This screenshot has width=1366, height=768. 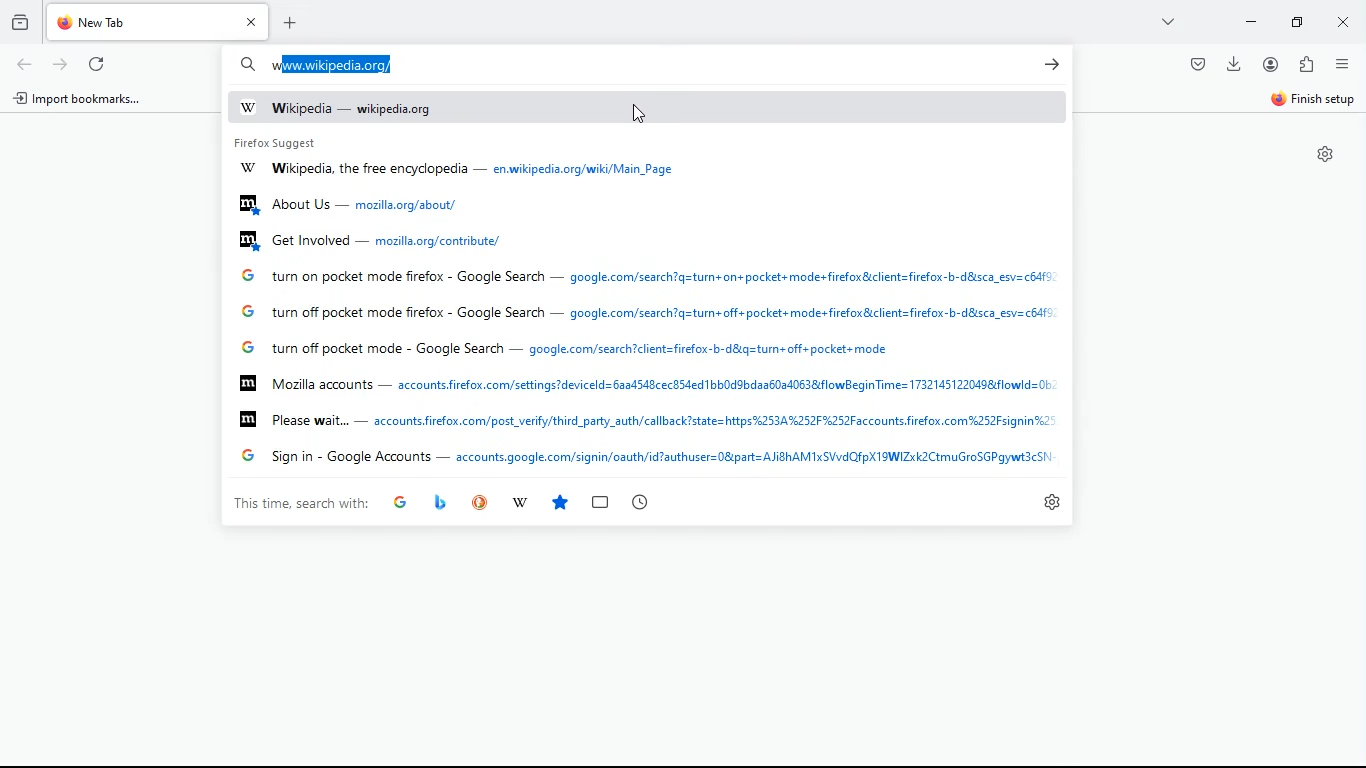 I want to click on firefox suggestions, so click(x=374, y=238).